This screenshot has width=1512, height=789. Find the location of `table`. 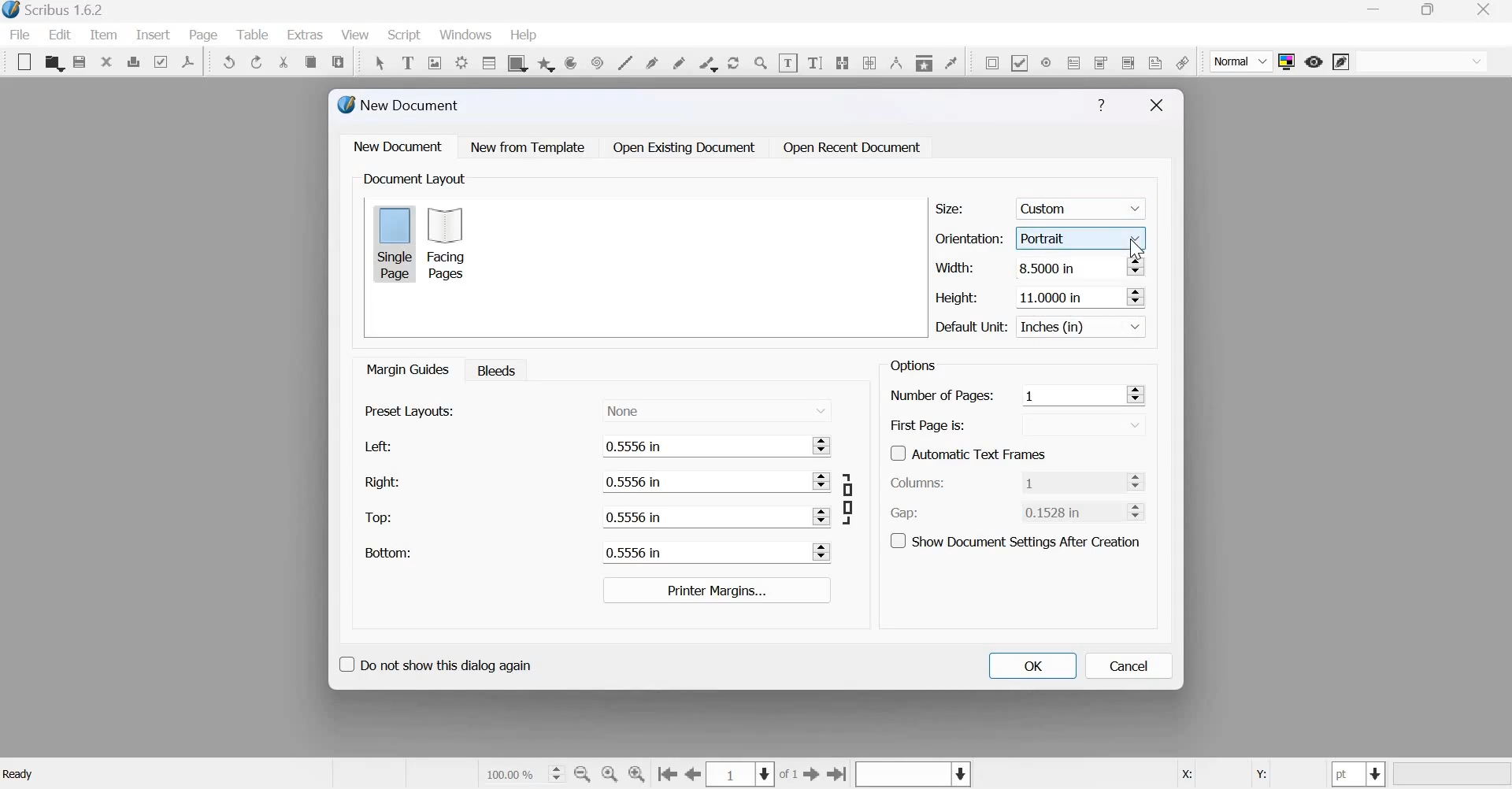

table is located at coordinates (487, 62).